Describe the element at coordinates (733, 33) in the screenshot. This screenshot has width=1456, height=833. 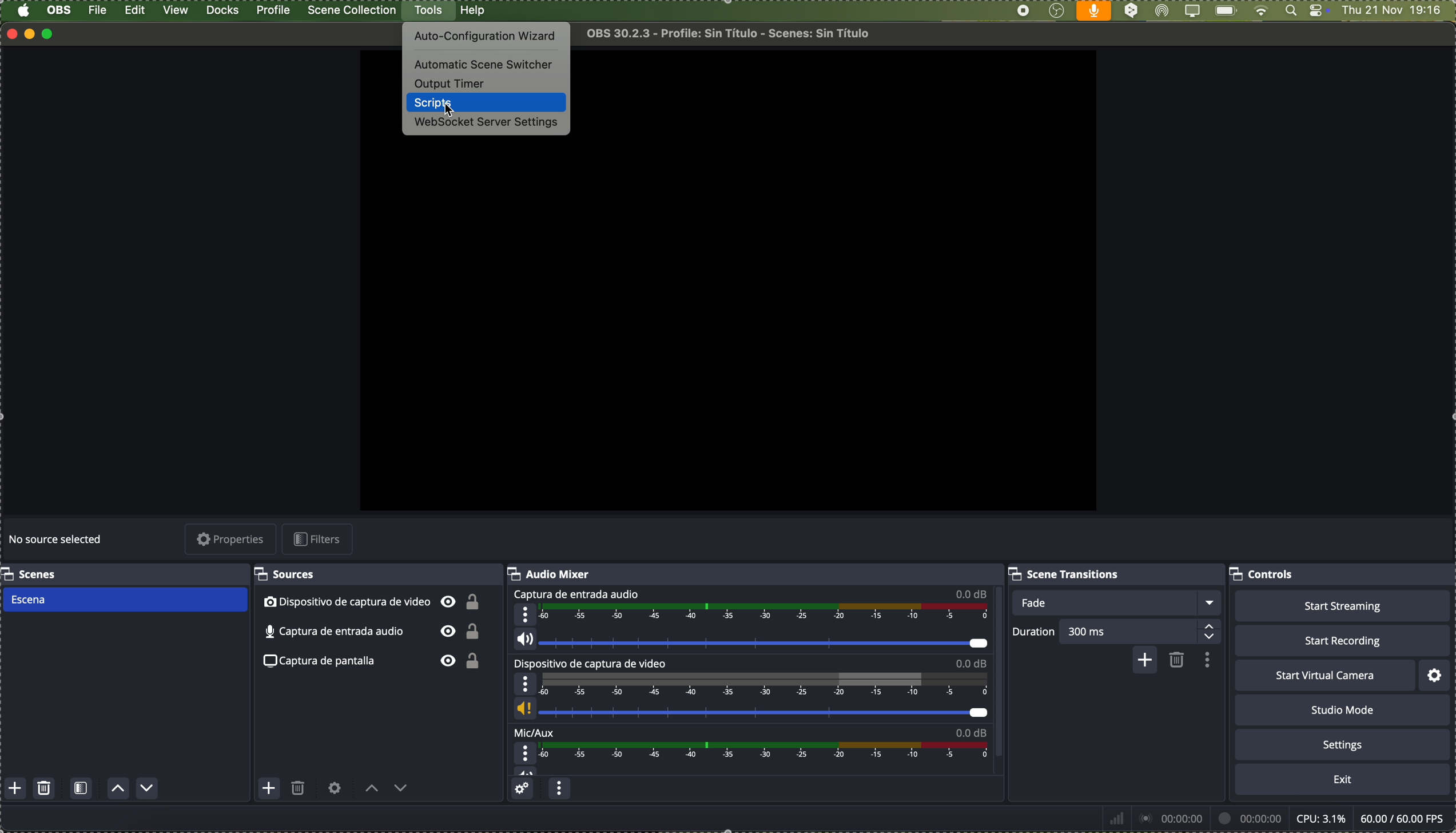
I see `file name` at that location.